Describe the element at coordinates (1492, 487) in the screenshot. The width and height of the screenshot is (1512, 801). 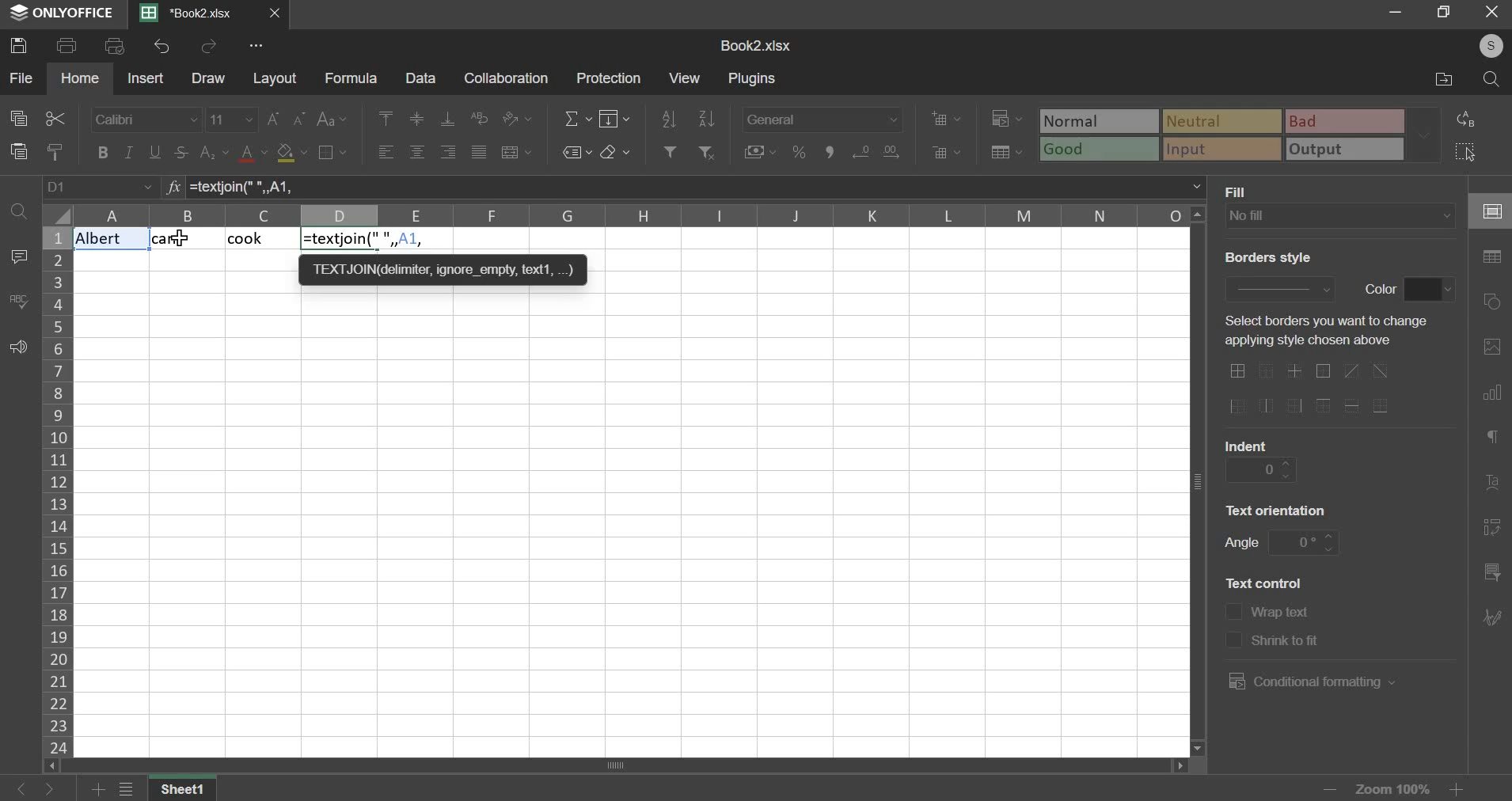
I see `text art` at that location.